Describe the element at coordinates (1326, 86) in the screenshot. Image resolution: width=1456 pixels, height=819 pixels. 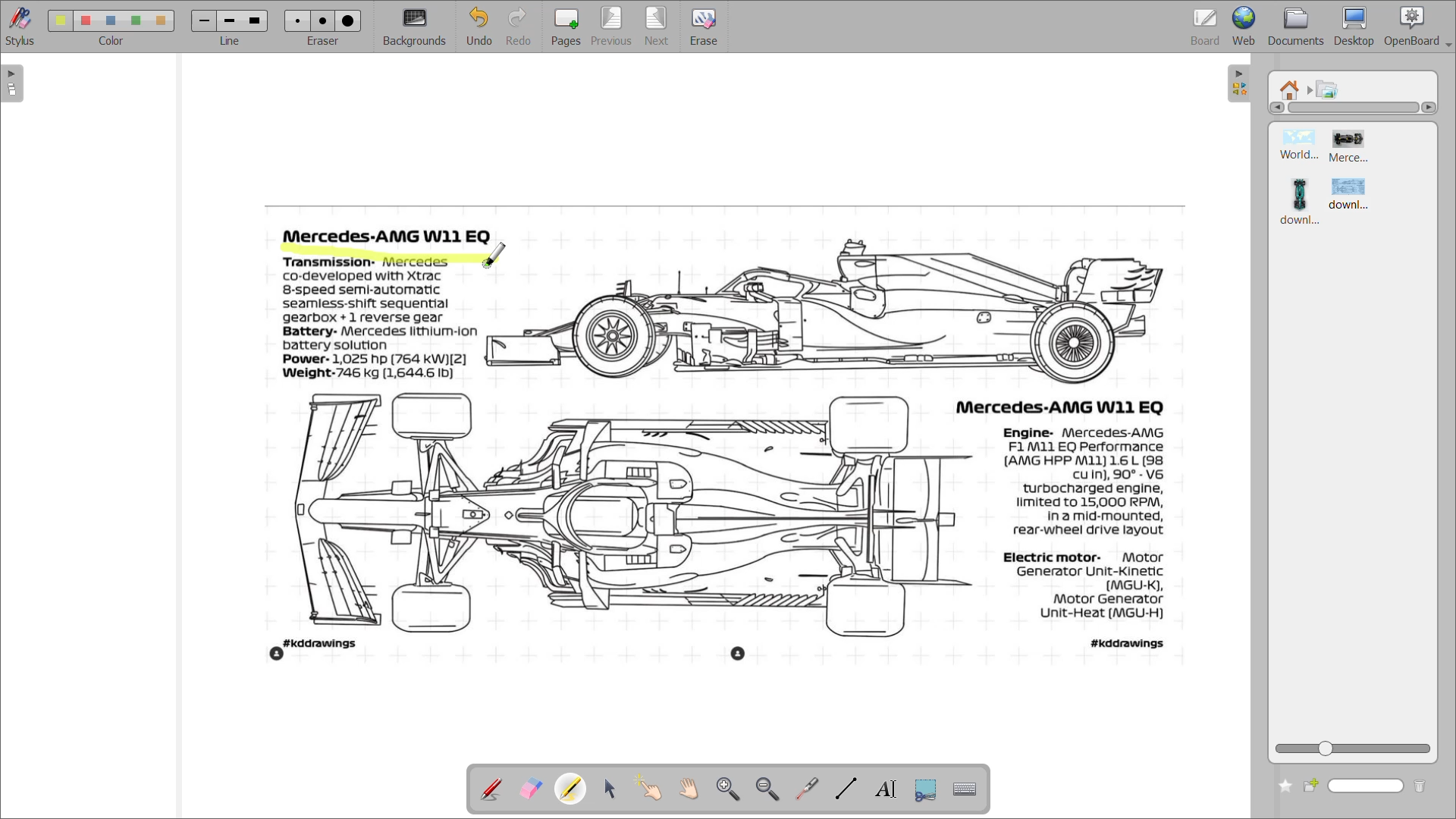
I see `pictures` at that location.